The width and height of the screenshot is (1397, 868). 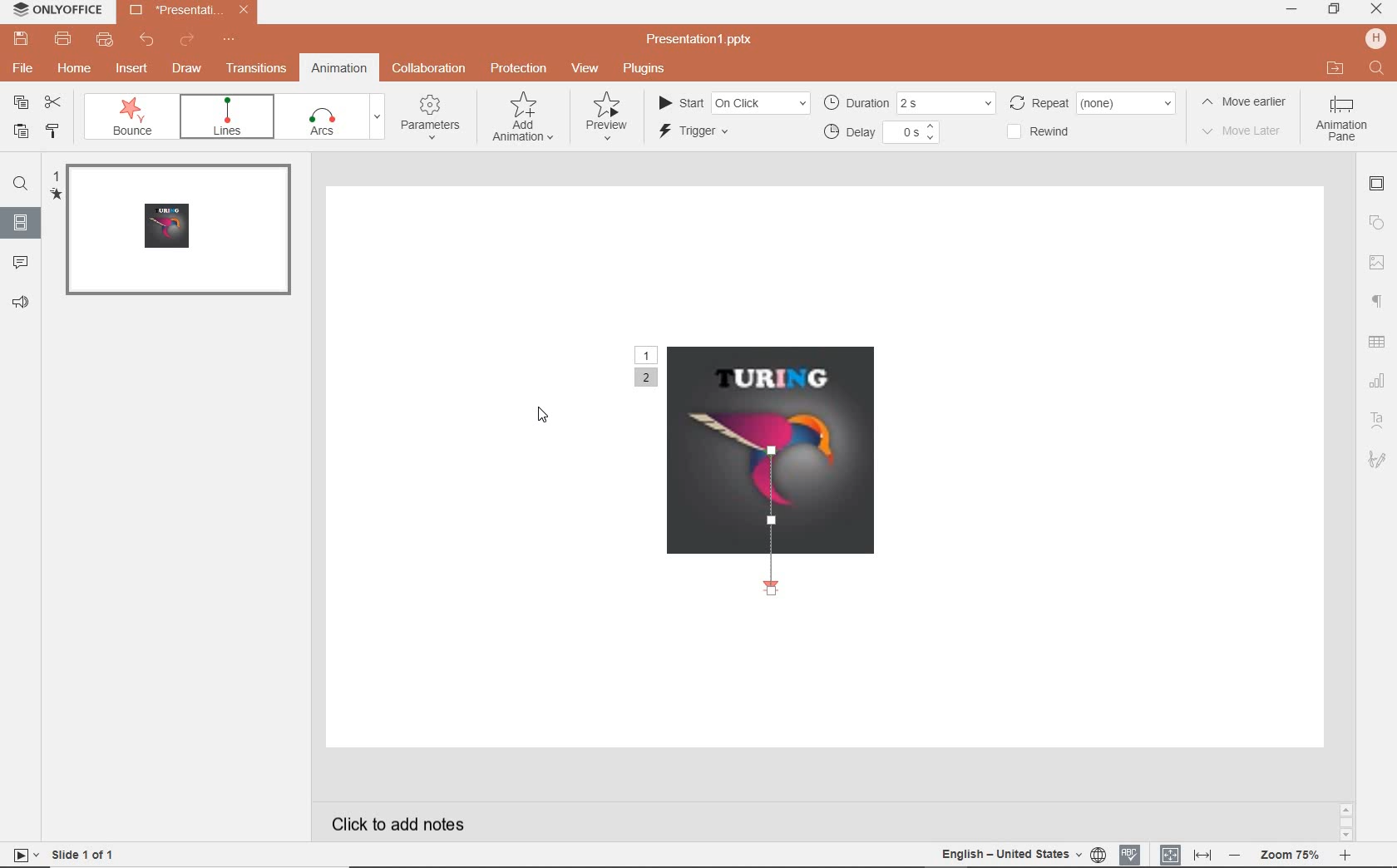 What do you see at coordinates (1349, 121) in the screenshot?
I see `animation pane` at bounding box center [1349, 121].